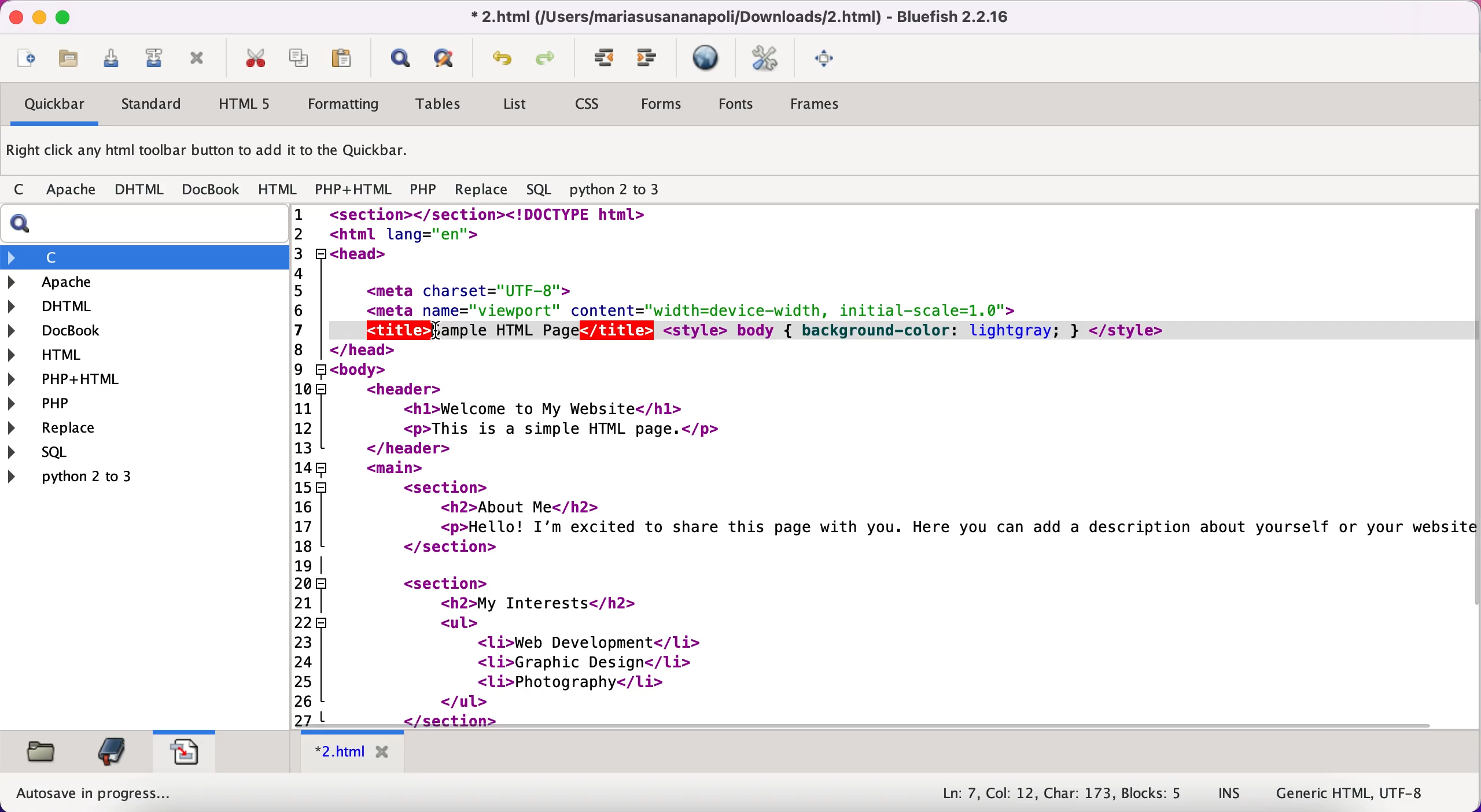 Image resolution: width=1481 pixels, height=812 pixels. Describe the element at coordinates (344, 106) in the screenshot. I see `formatting` at that location.